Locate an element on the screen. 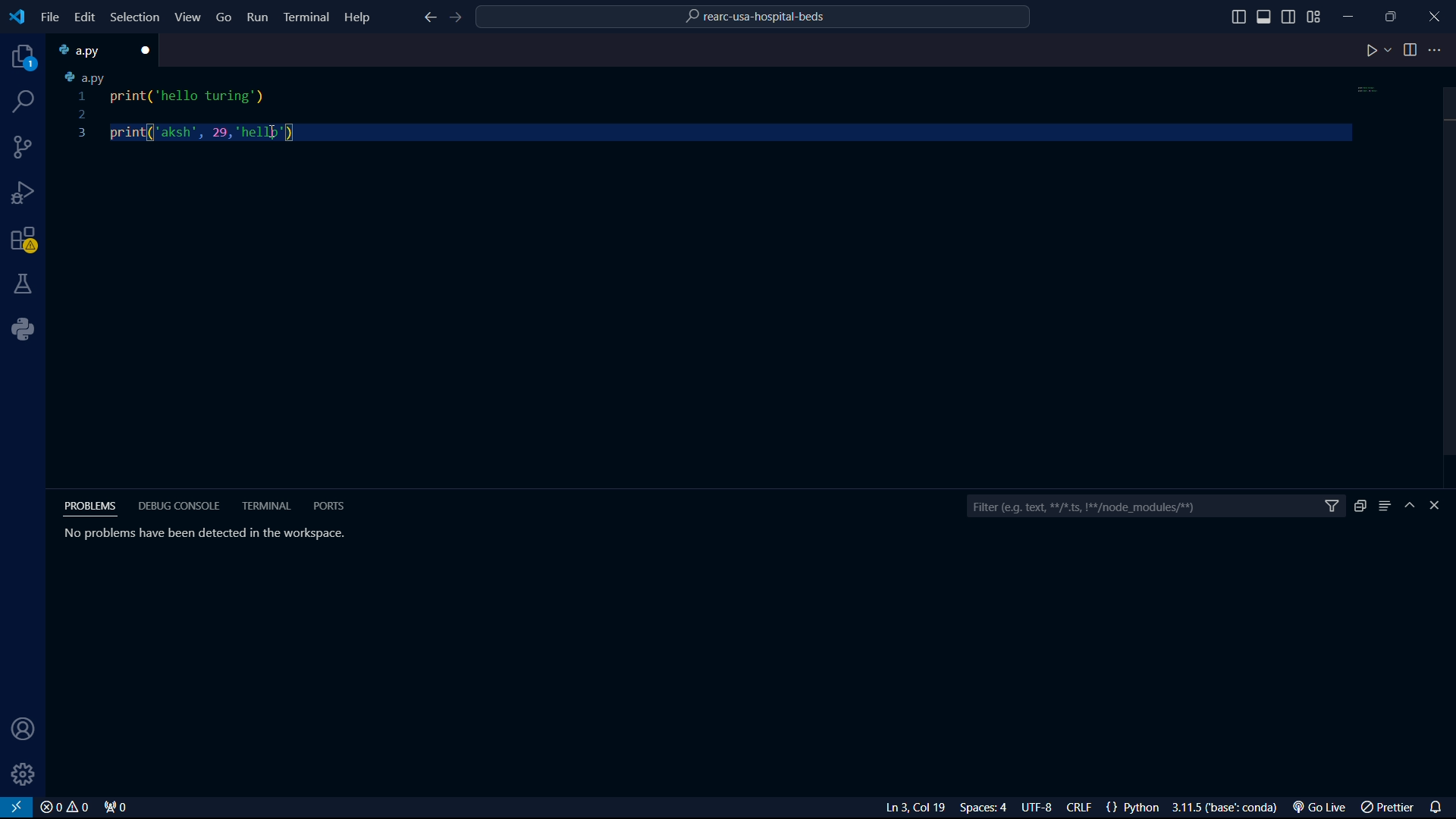 This screenshot has height=819, width=1456. Ln 3 Col 23 is located at coordinates (897, 808).